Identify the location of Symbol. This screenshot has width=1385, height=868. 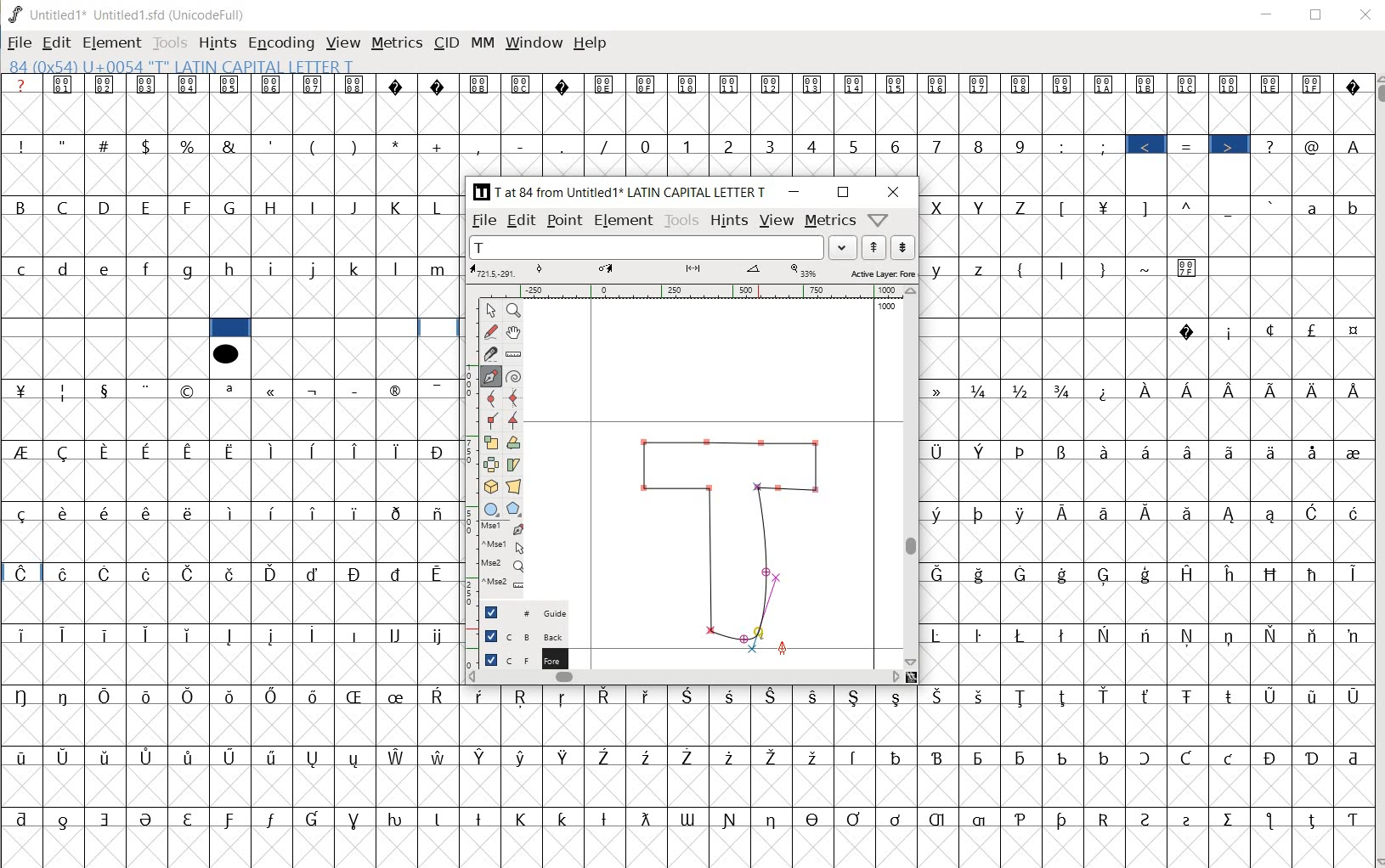
(732, 757).